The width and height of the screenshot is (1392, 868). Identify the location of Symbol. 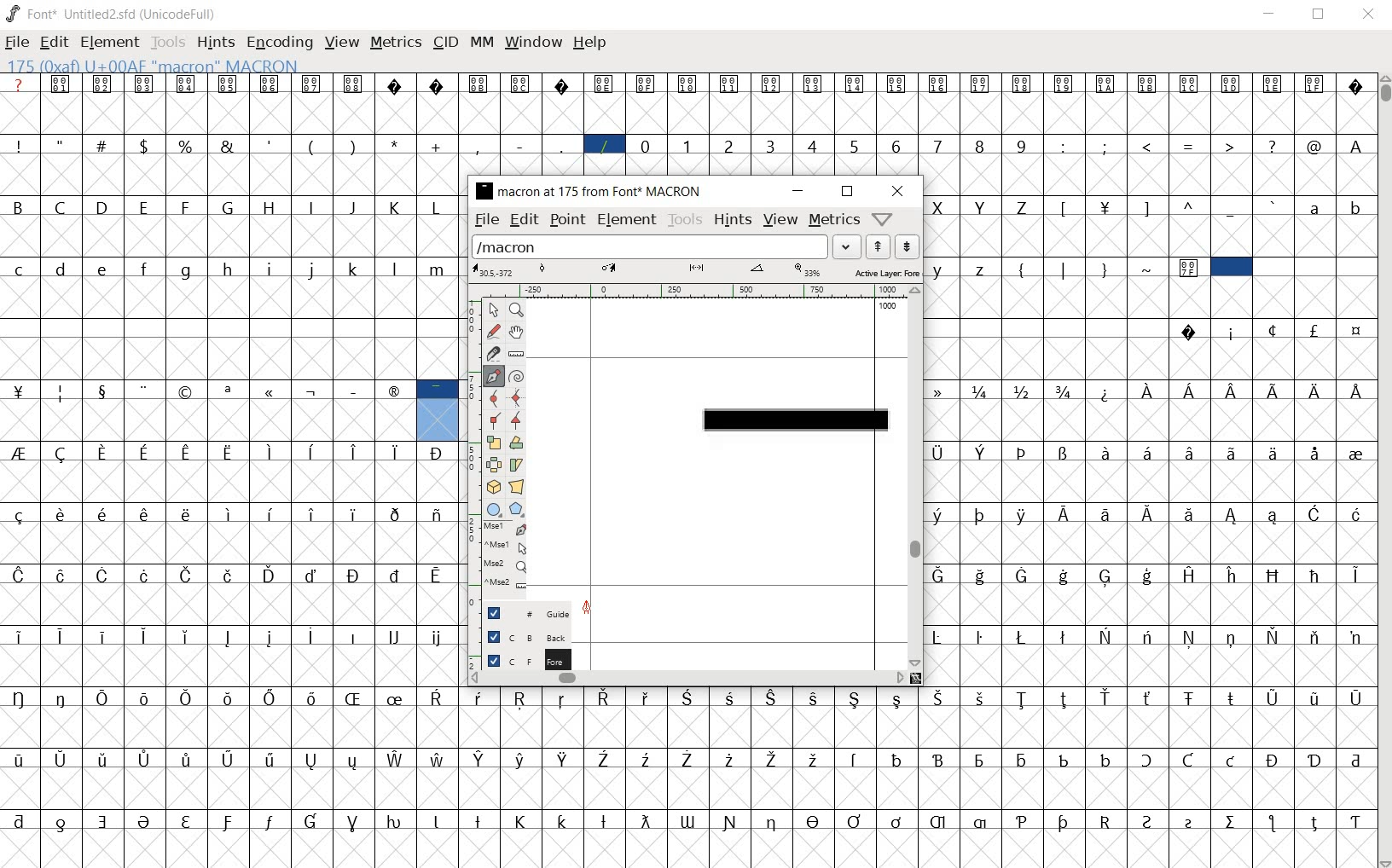
(314, 391).